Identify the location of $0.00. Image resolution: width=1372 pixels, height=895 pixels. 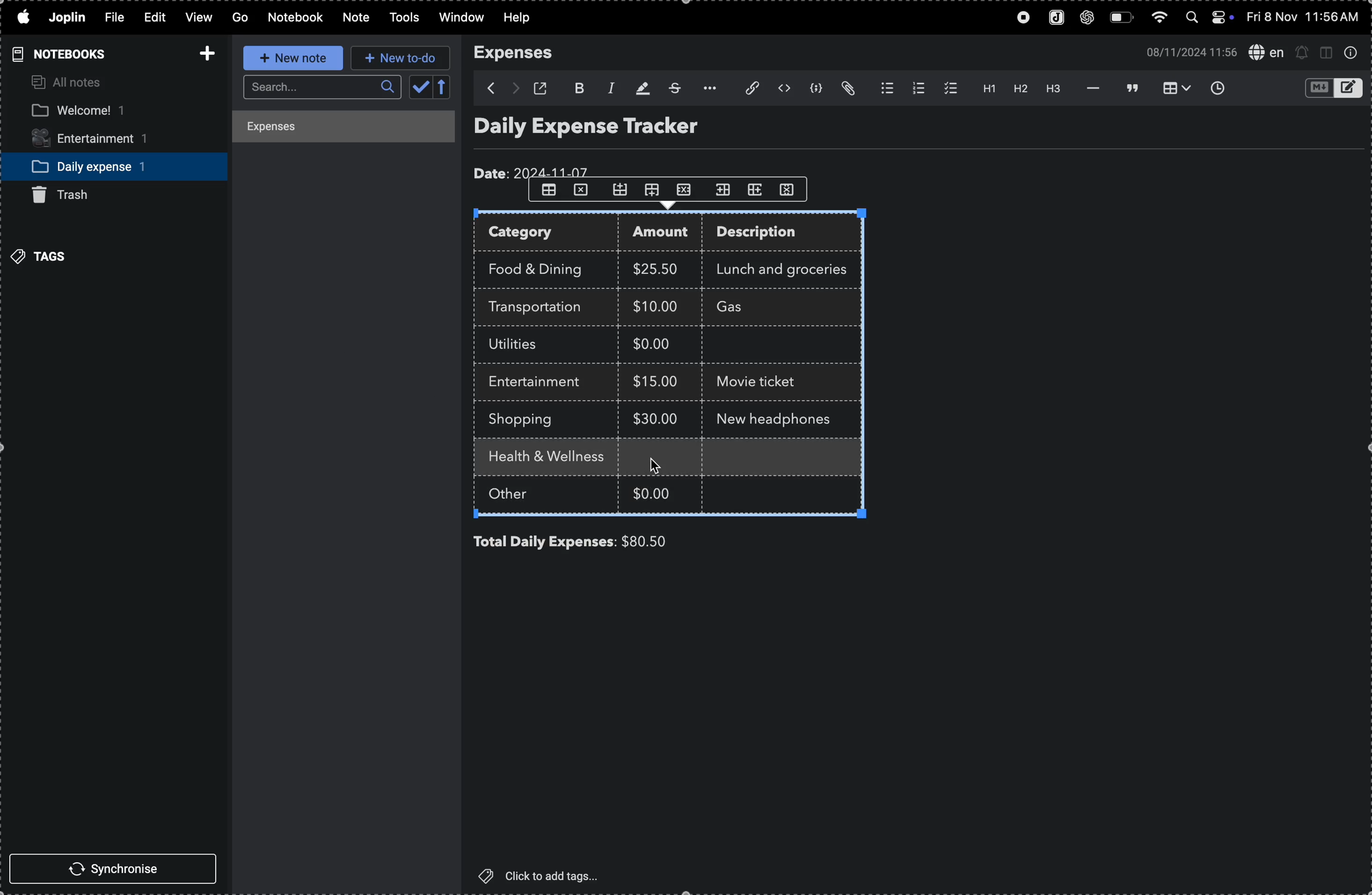
(659, 346).